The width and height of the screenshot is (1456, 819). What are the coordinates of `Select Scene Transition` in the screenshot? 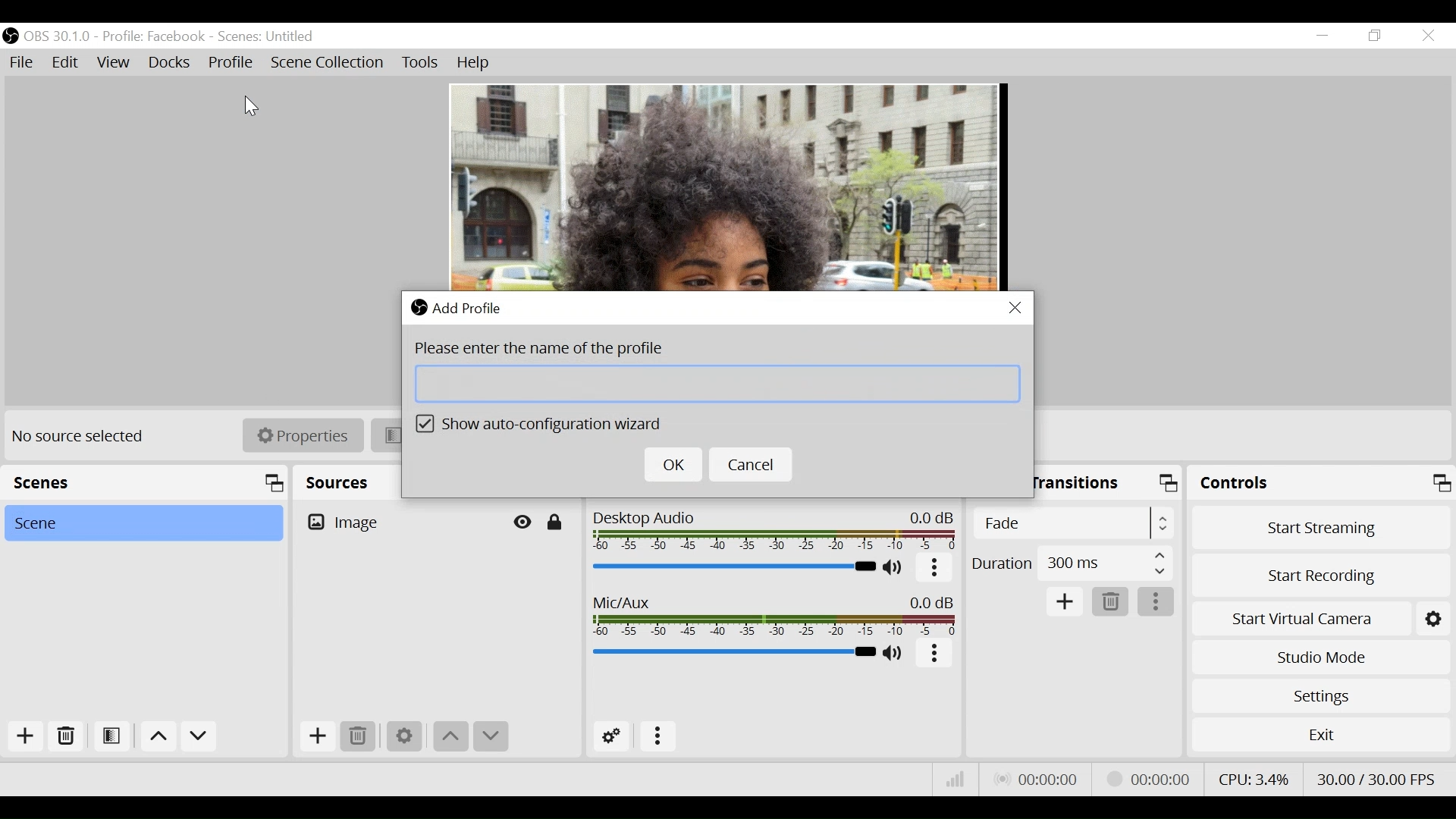 It's located at (1076, 522).